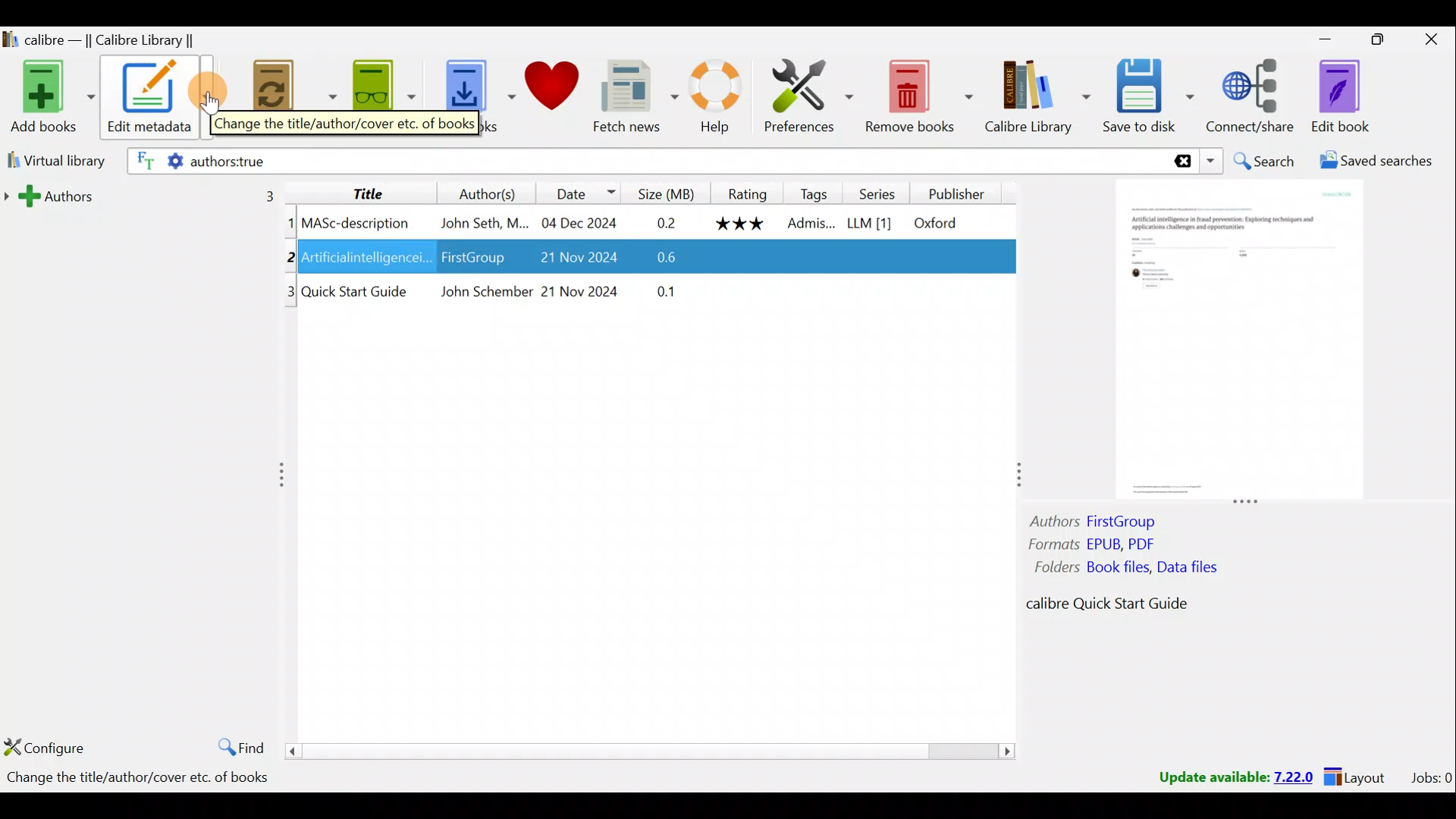  I want to click on Scroll bar, so click(657, 750).